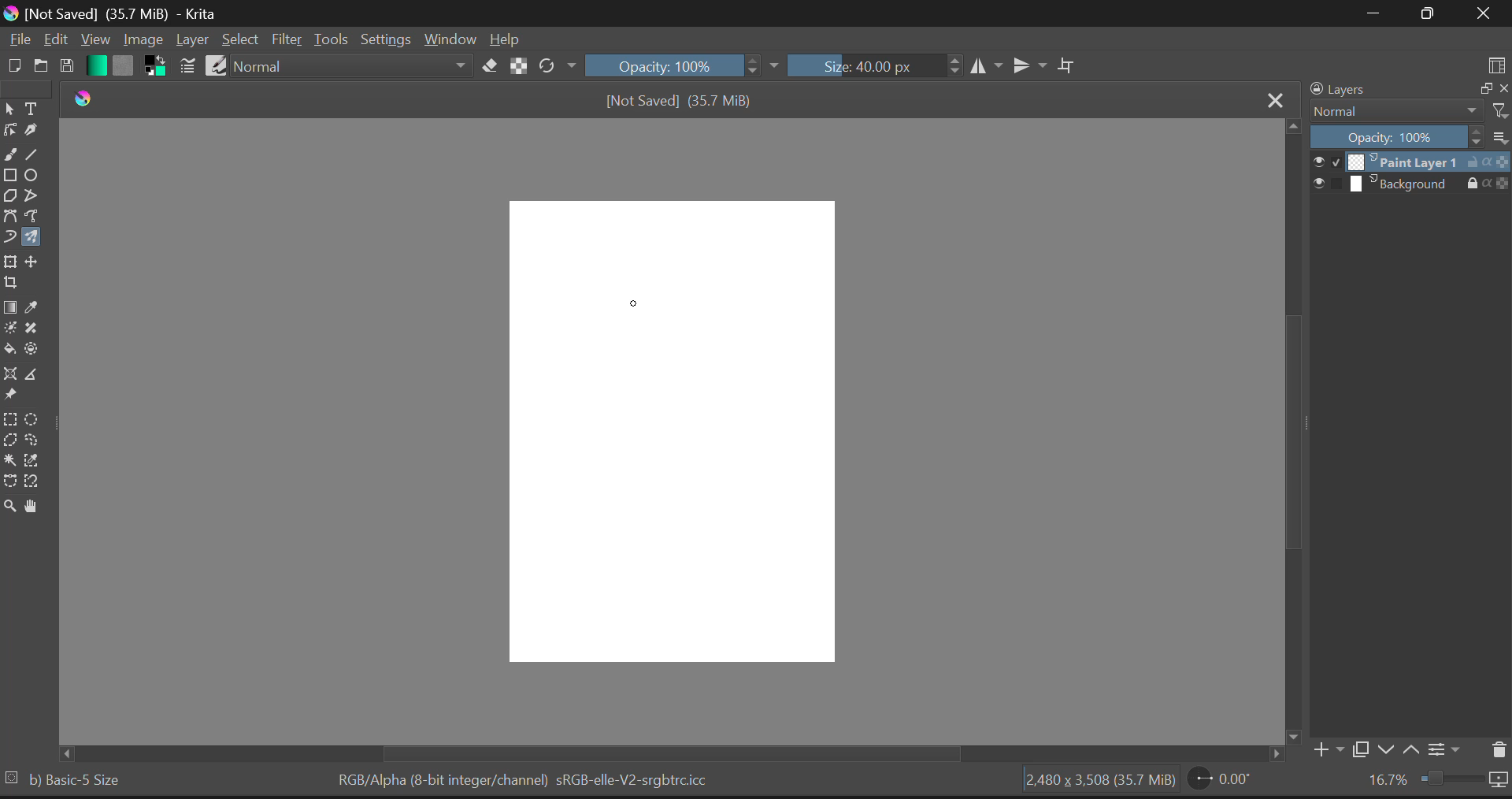  What do you see at coordinates (1447, 753) in the screenshot?
I see `Settings` at bounding box center [1447, 753].